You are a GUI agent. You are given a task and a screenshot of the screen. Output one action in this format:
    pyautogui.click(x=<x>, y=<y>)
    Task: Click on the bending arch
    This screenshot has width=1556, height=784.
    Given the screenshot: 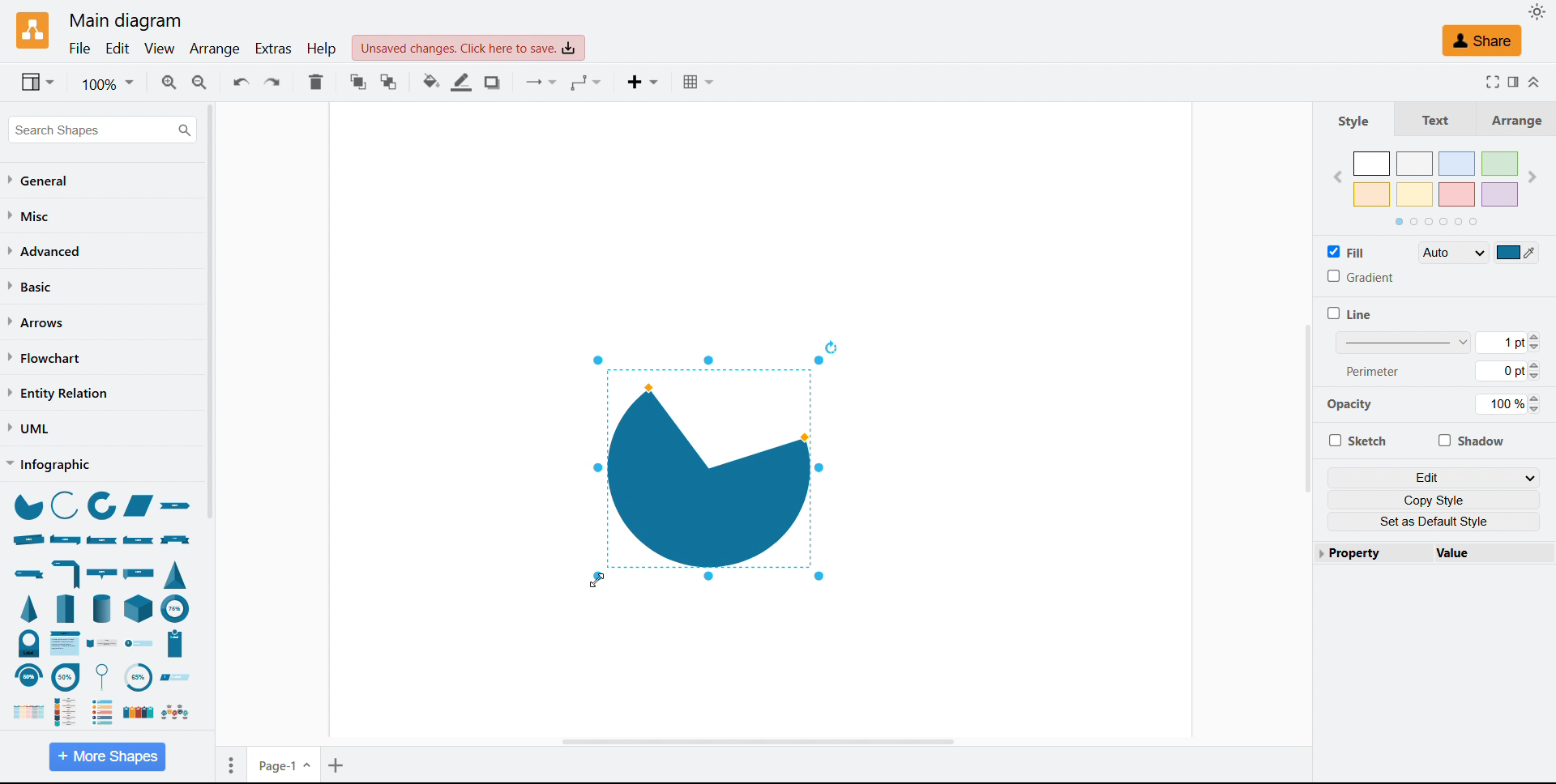 What is the action you would take?
    pyautogui.click(x=28, y=676)
    